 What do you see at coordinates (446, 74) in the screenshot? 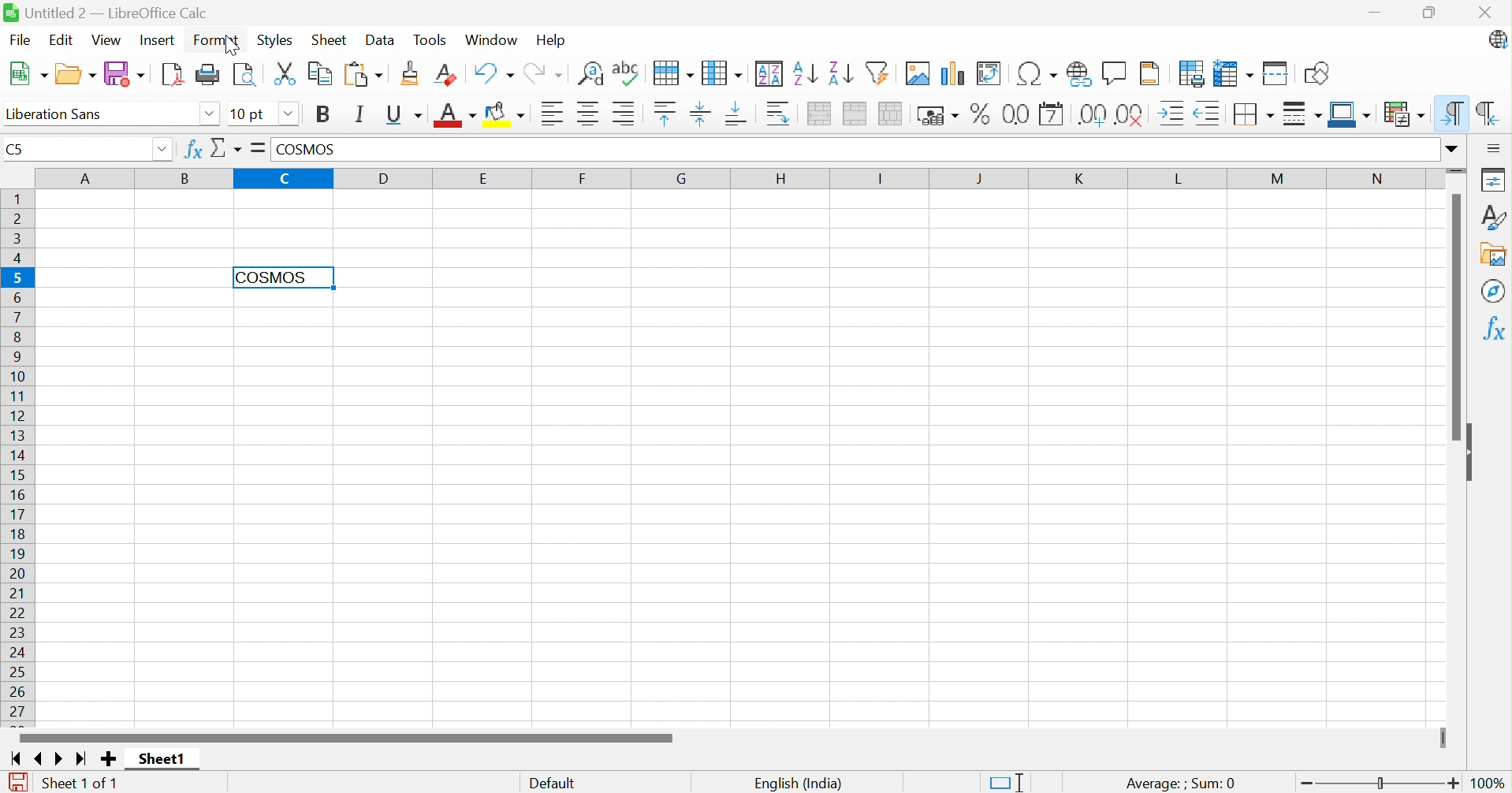
I see `Clear Direct Formatting` at bounding box center [446, 74].